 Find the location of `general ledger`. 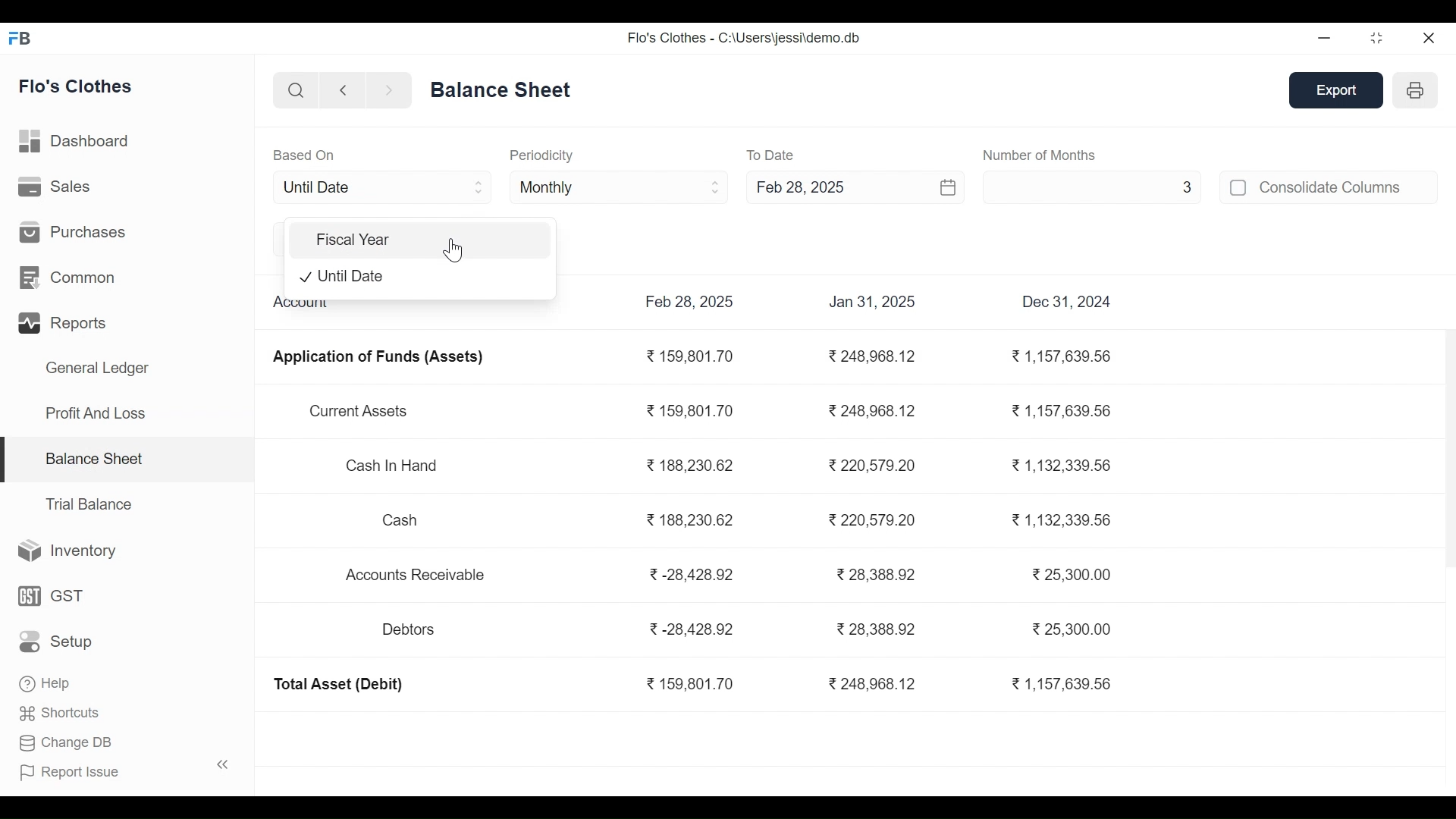

general ledger is located at coordinates (504, 89).